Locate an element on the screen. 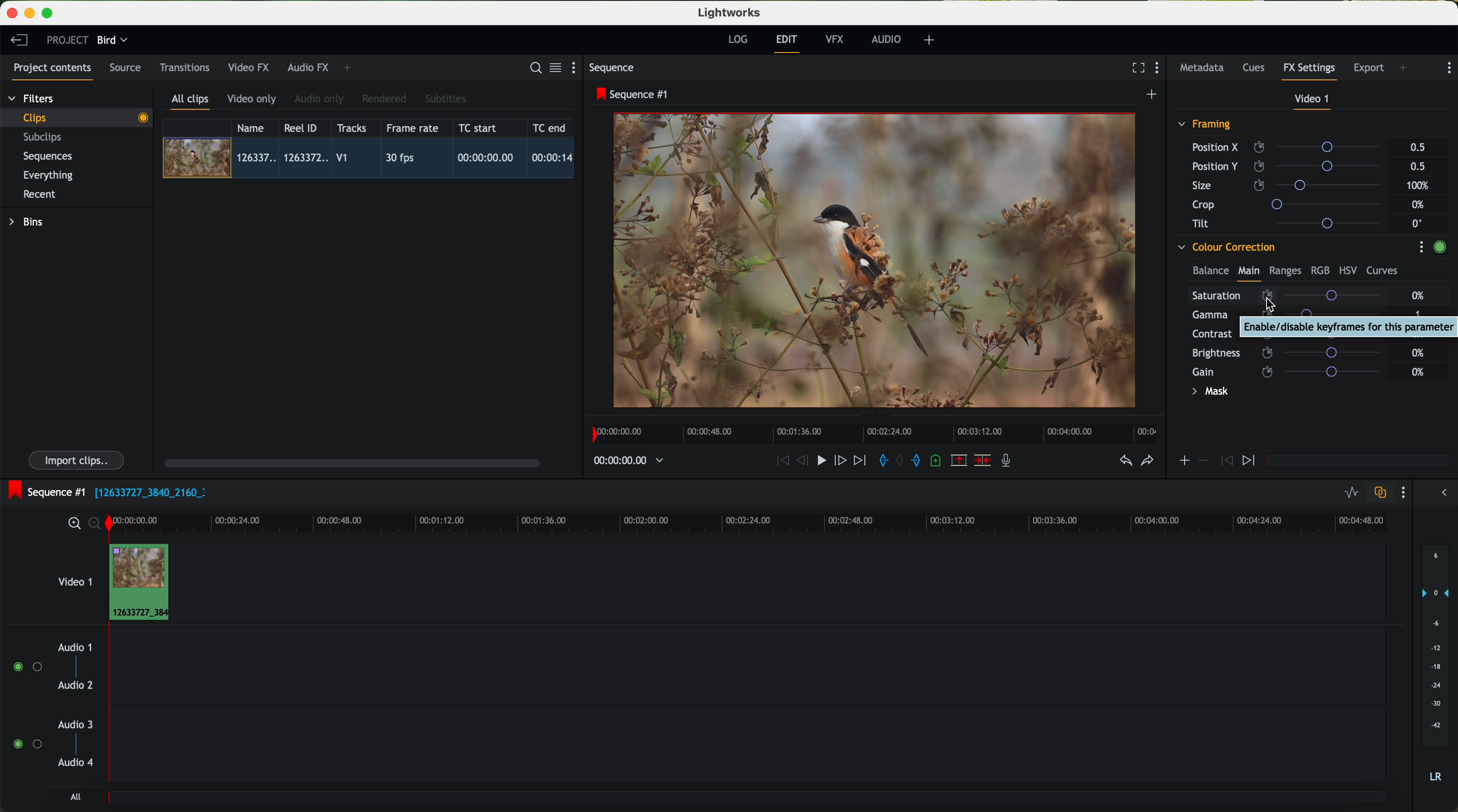 This screenshot has height=812, width=1458. TC start is located at coordinates (479, 127).